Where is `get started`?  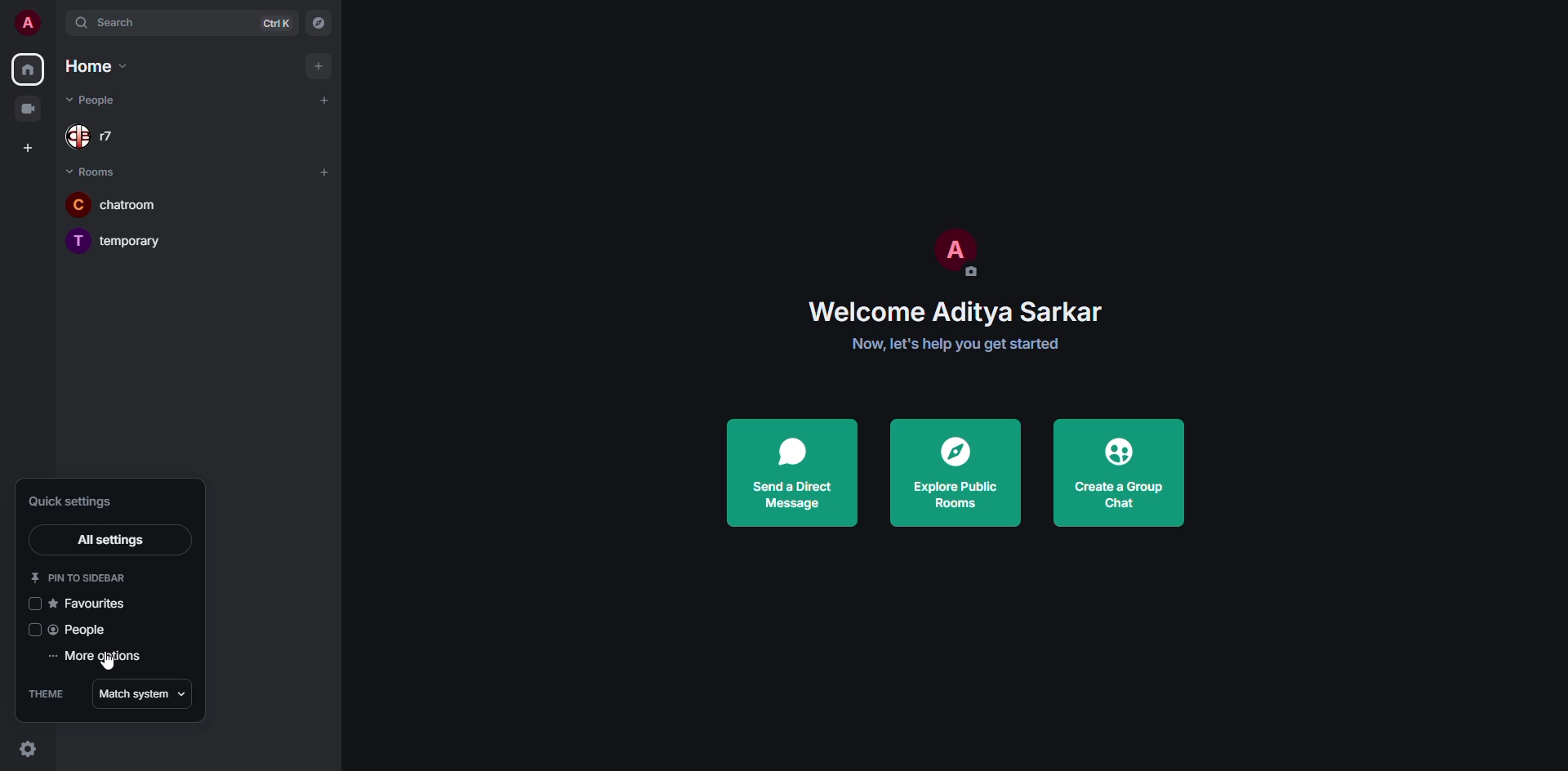
get started is located at coordinates (955, 343).